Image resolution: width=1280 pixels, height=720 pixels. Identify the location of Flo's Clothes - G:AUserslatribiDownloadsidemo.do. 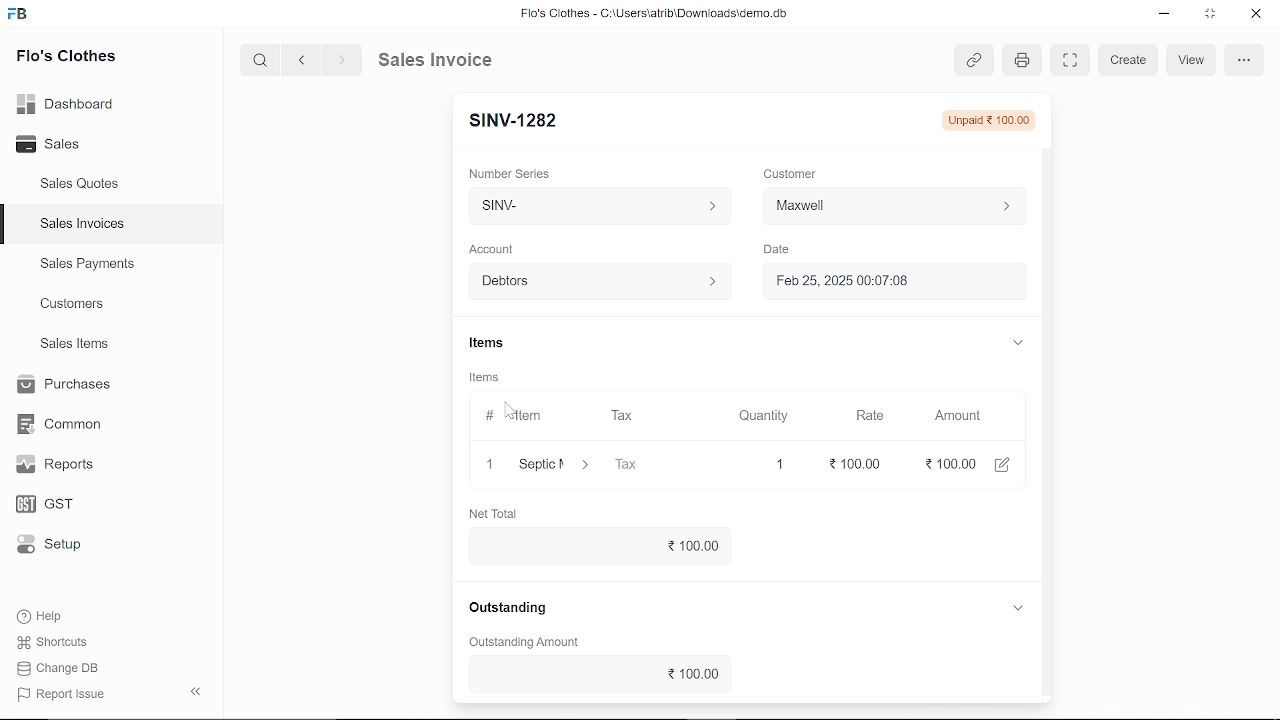
(651, 13).